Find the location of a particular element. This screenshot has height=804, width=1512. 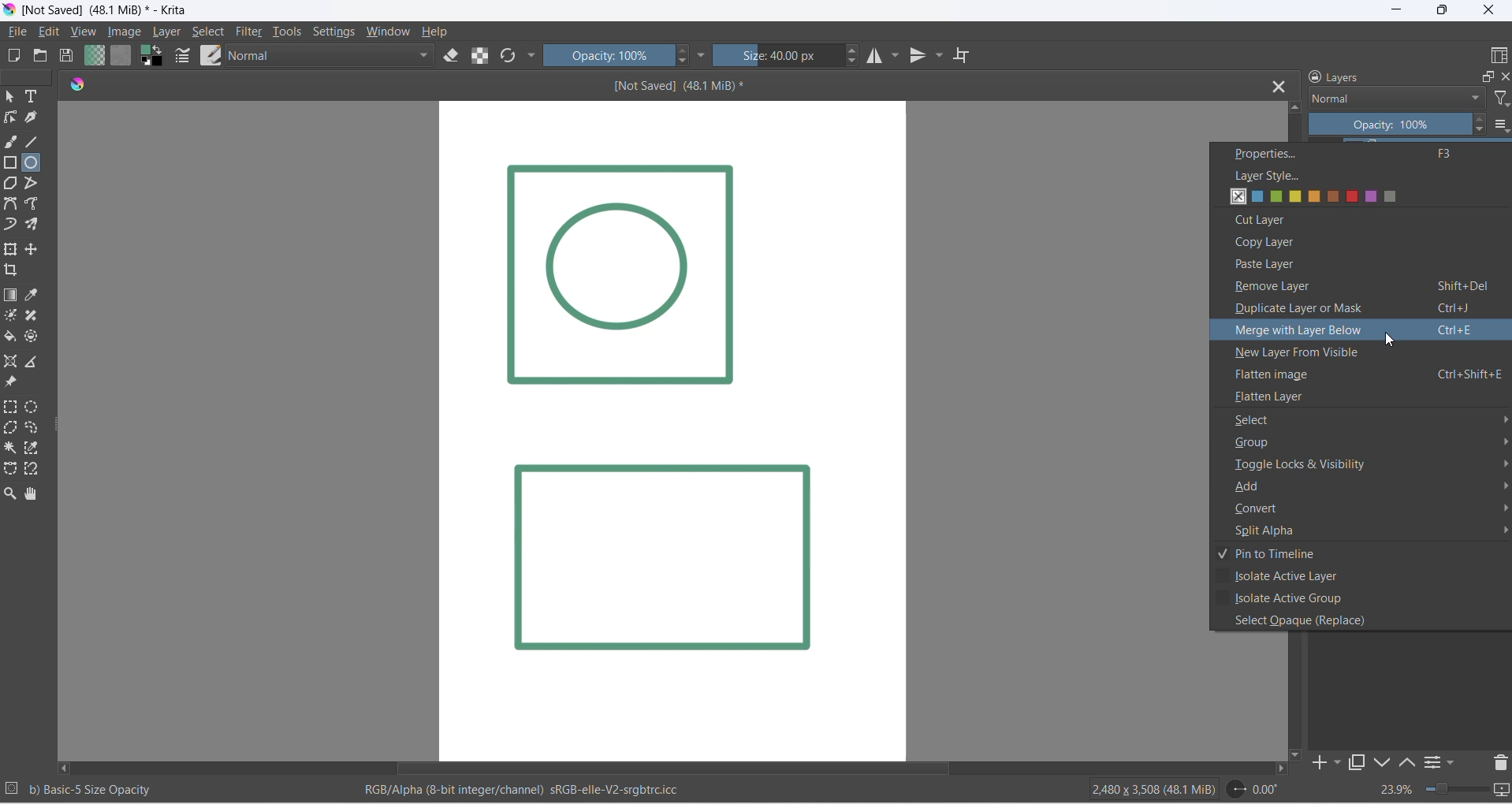

polyline tool is located at coordinates (39, 184).